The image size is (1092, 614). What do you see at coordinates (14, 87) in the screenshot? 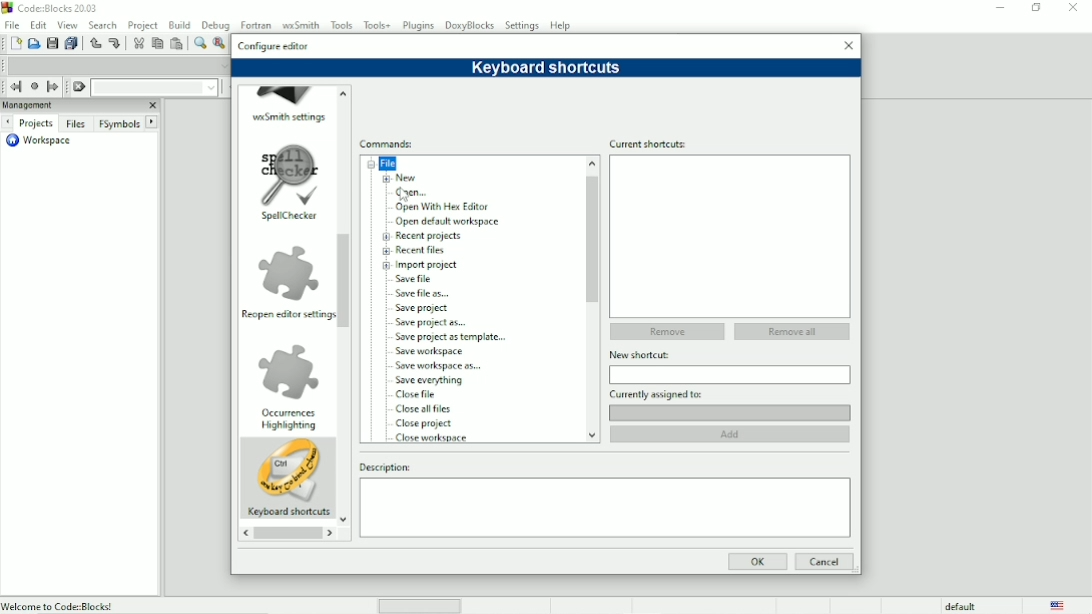
I see `Jump back` at bounding box center [14, 87].